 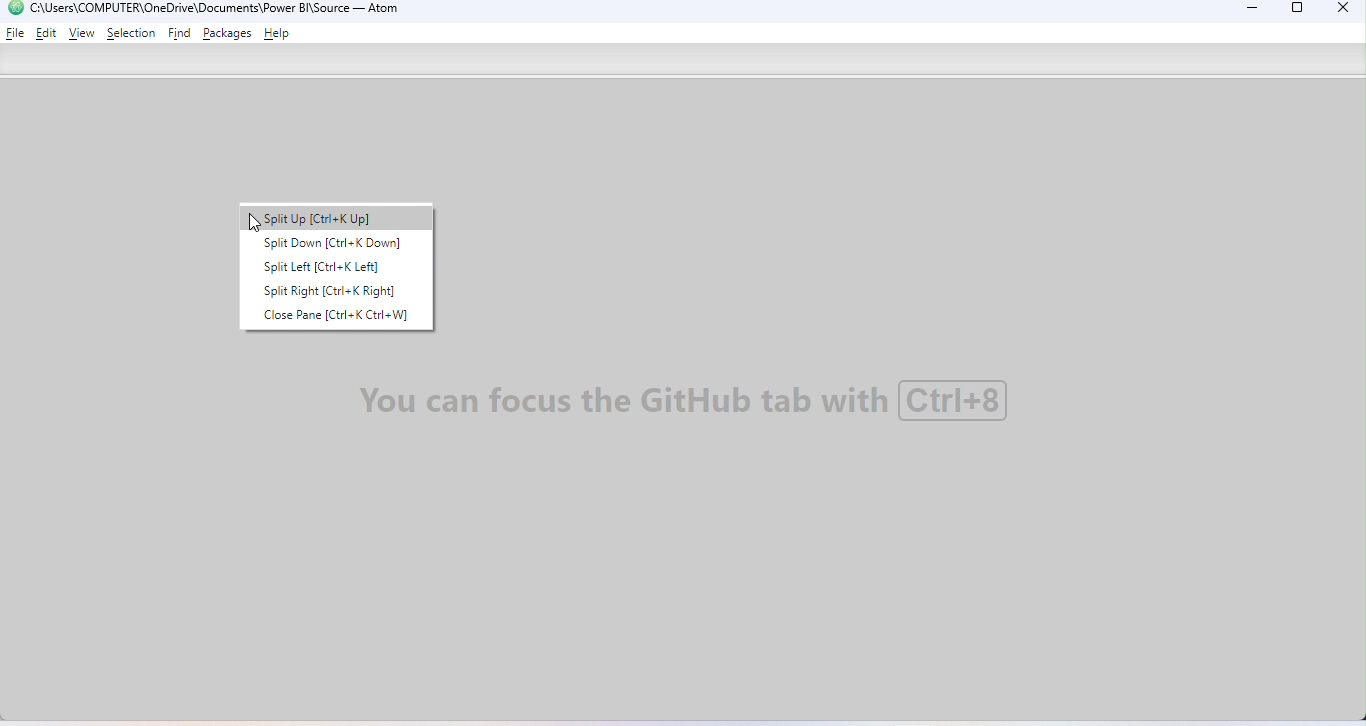 What do you see at coordinates (131, 33) in the screenshot?
I see `Selection` at bounding box center [131, 33].